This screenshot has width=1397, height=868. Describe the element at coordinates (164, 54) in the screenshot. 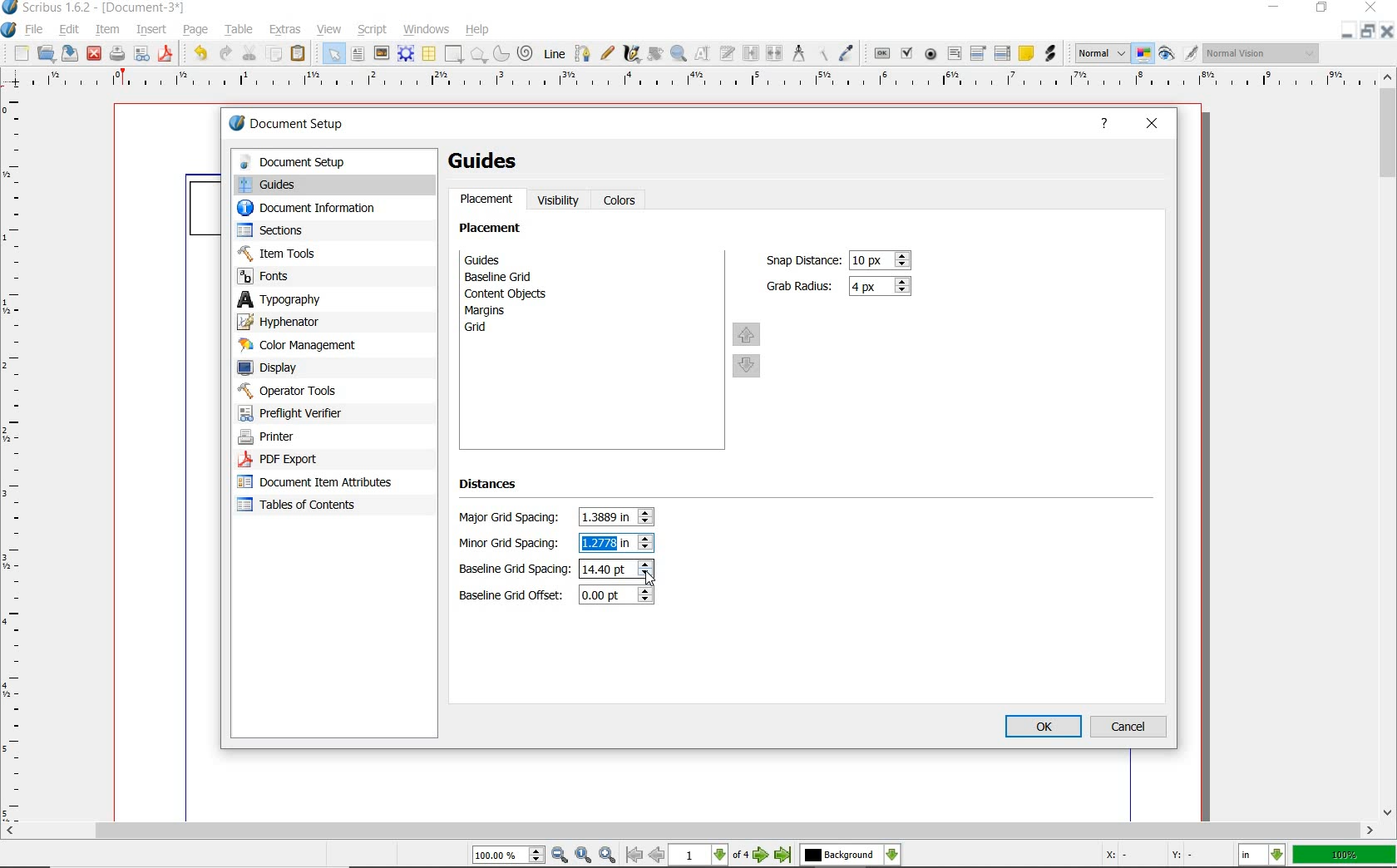

I see `save as pdf` at that location.